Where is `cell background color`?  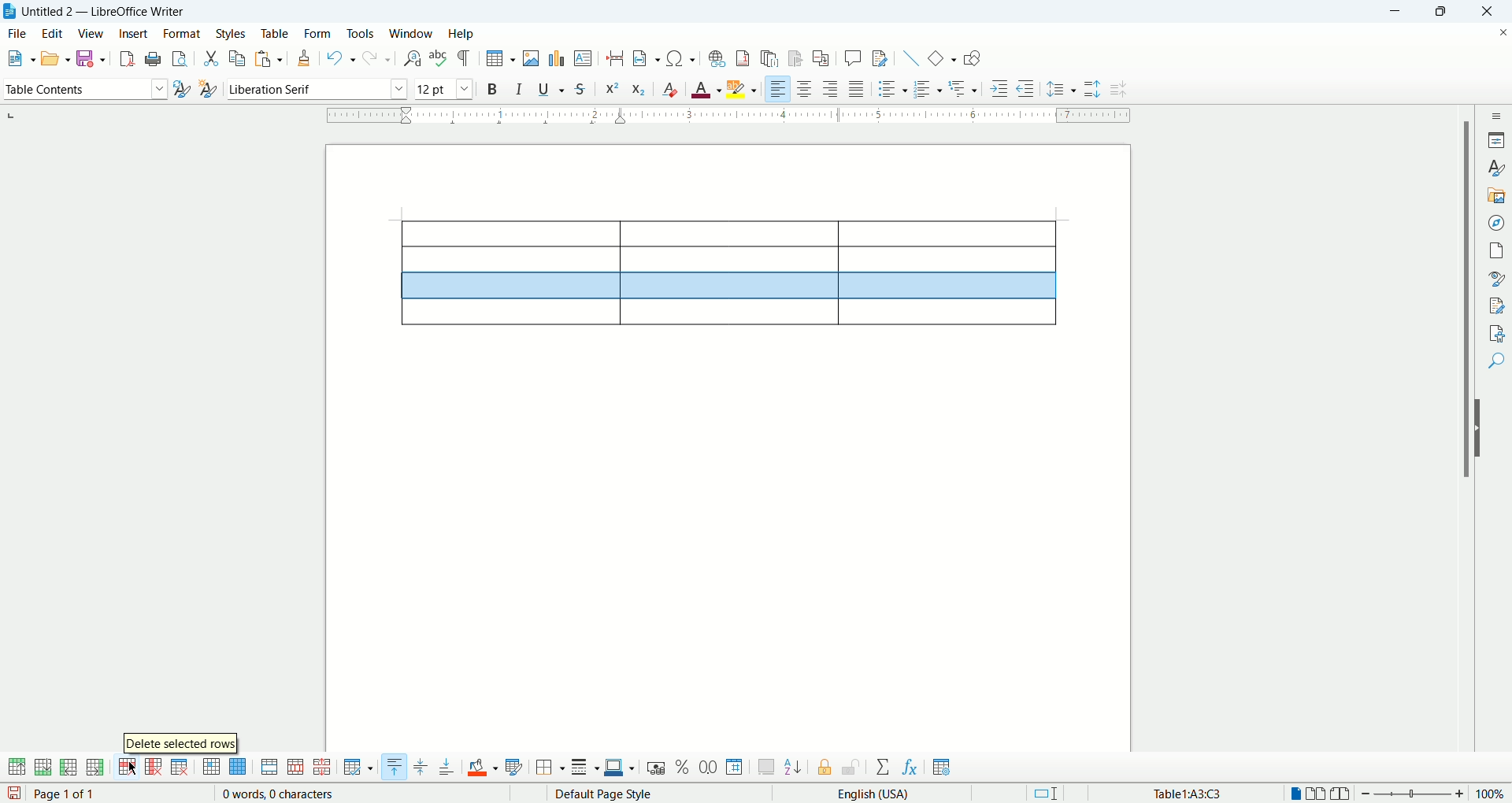 cell background color is located at coordinates (482, 768).